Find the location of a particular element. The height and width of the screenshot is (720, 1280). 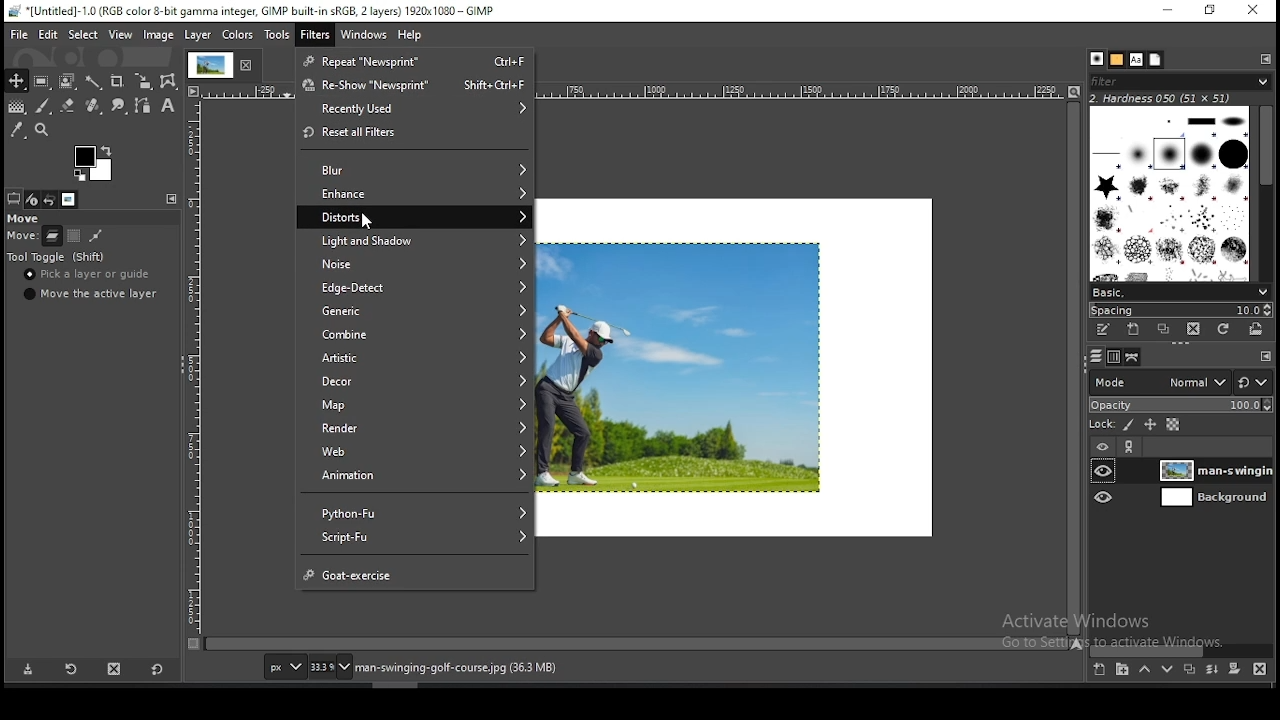

script fu is located at coordinates (414, 537).